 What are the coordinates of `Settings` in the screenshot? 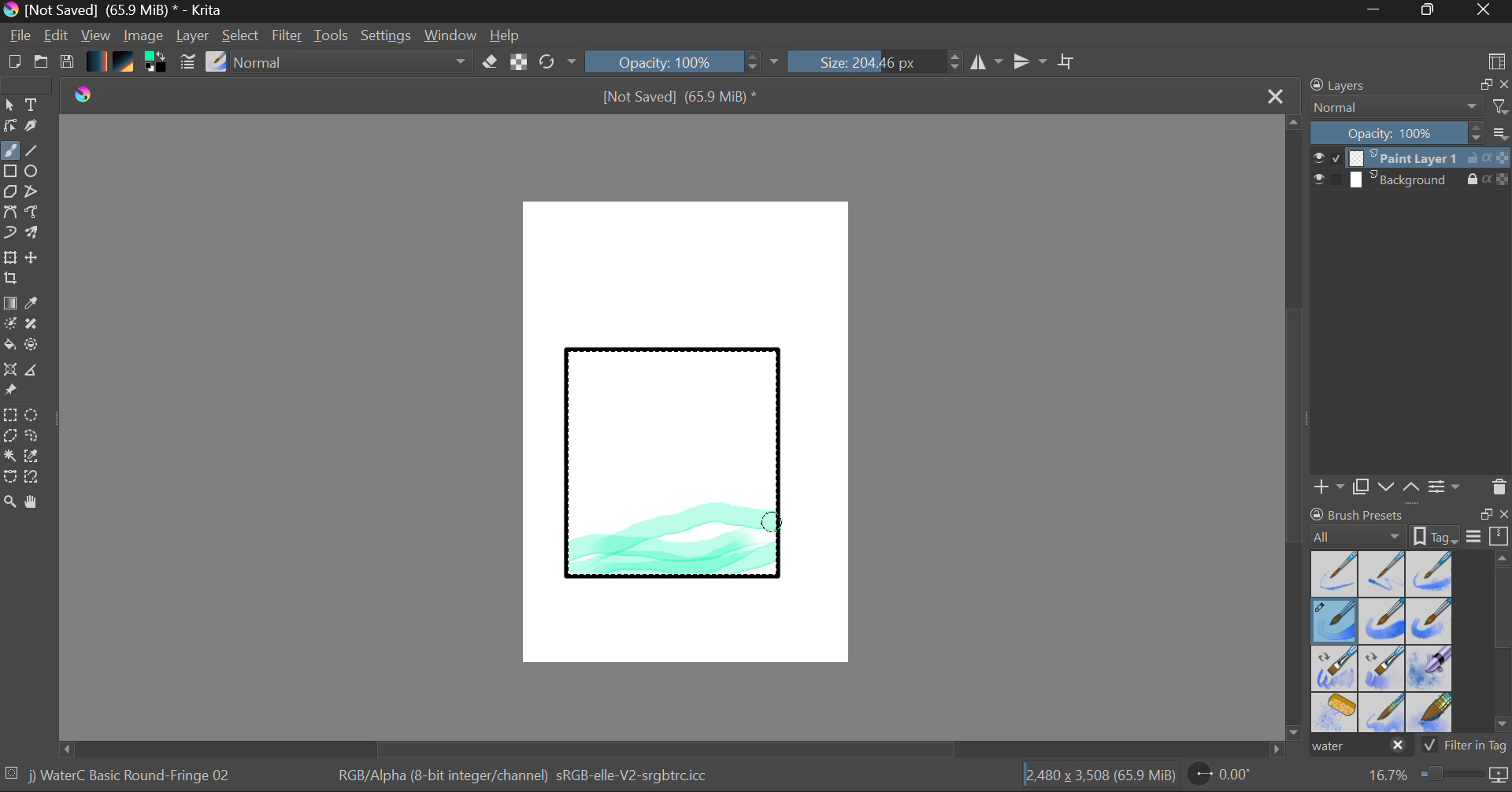 It's located at (387, 35).